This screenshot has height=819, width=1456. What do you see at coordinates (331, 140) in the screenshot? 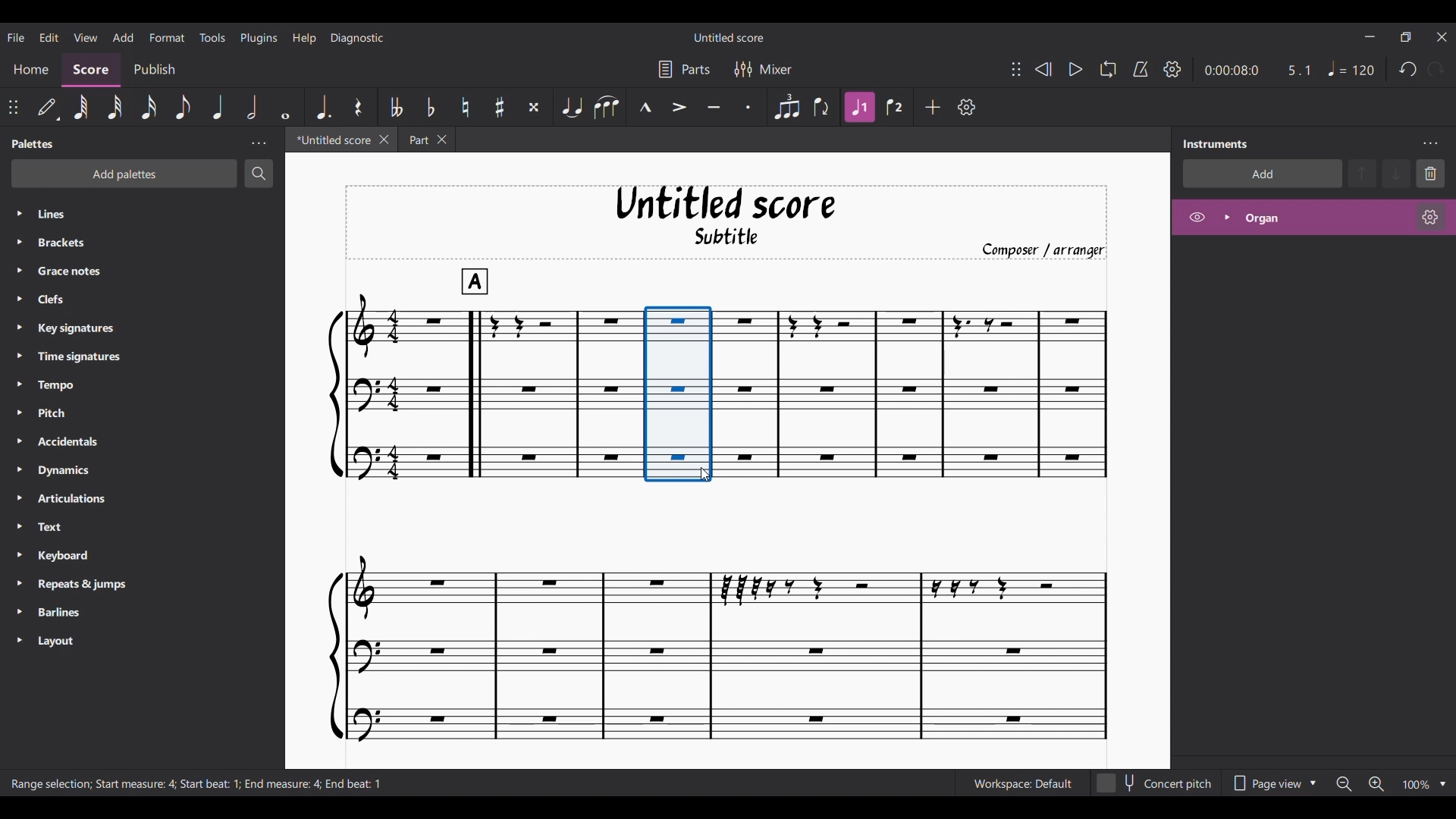
I see `Untitled tab` at bounding box center [331, 140].